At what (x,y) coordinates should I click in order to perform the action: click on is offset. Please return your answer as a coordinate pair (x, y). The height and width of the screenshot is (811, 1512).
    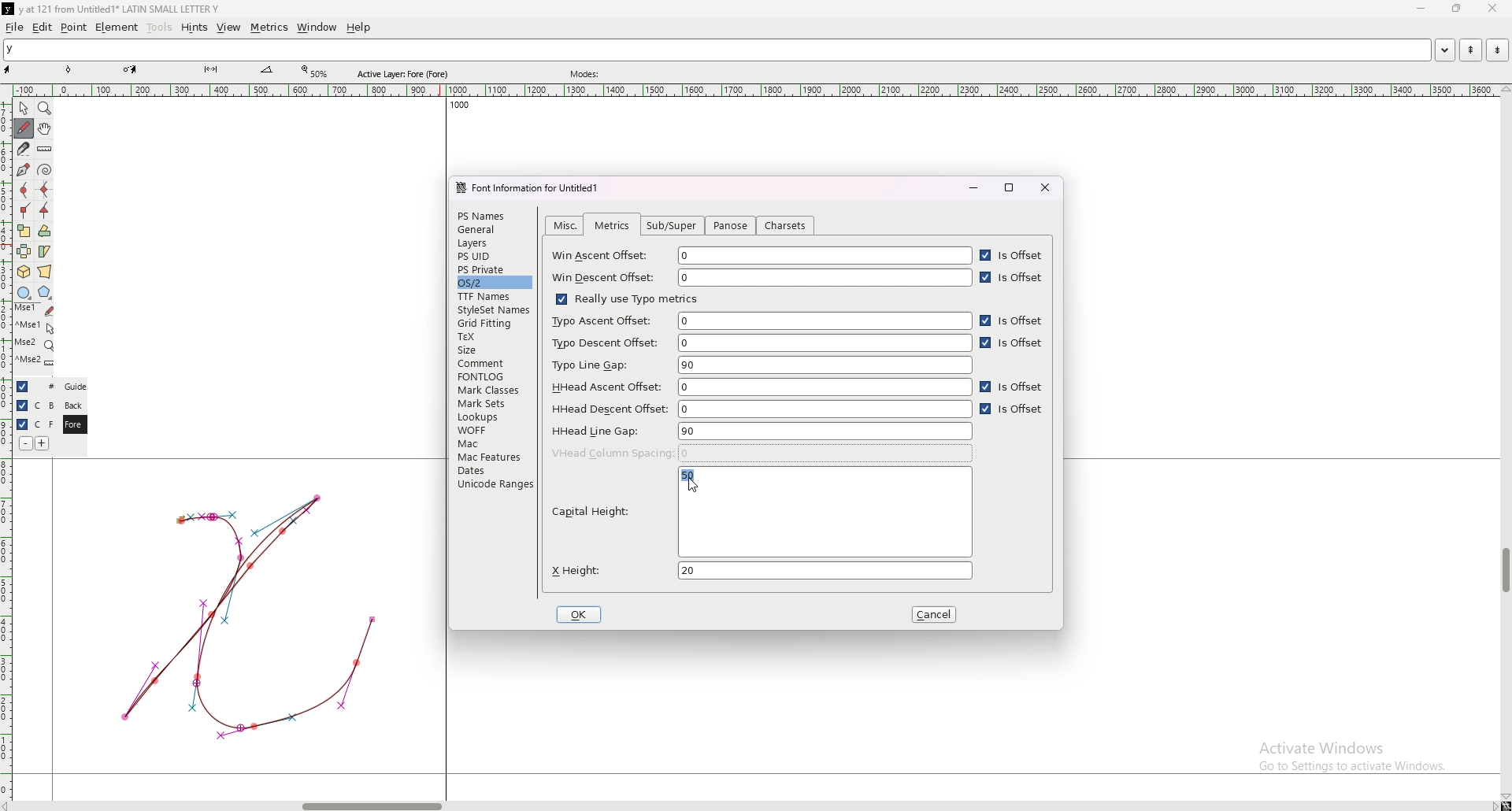
    Looking at the image, I should click on (1014, 344).